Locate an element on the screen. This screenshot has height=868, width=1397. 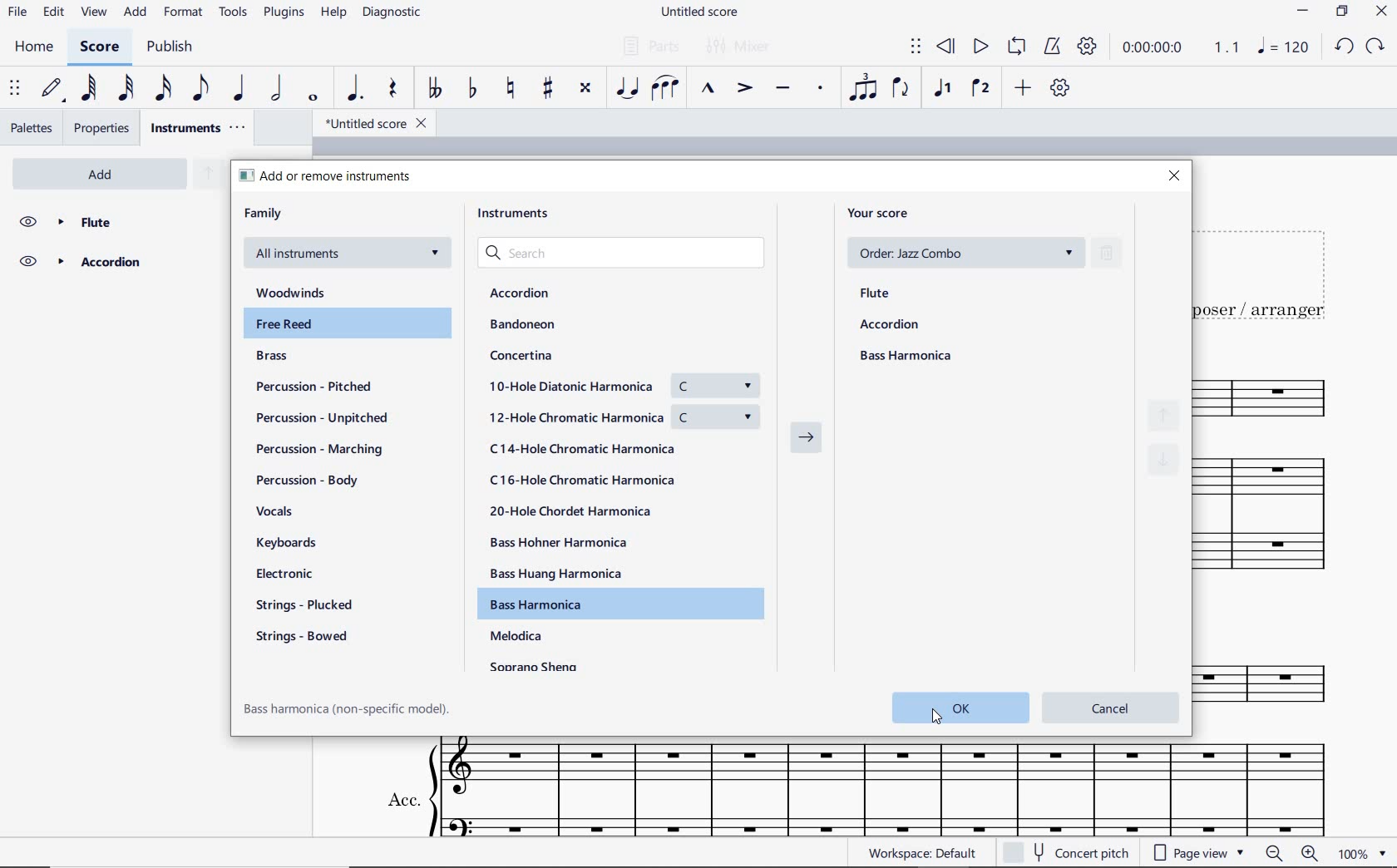
ADD is located at coordinates (136, 12).